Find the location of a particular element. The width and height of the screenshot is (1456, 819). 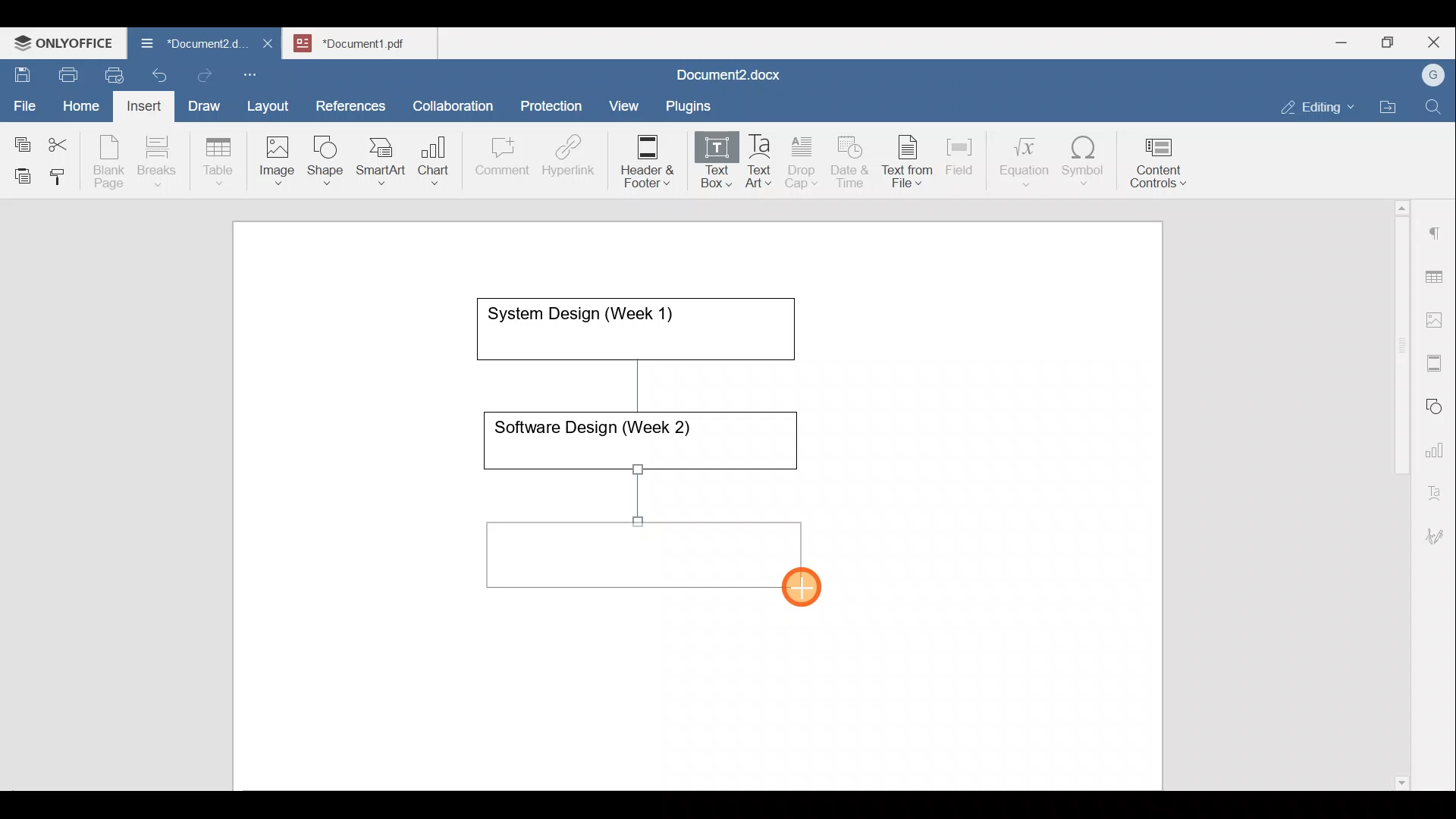

Layout is located at coordinates (271, 103).